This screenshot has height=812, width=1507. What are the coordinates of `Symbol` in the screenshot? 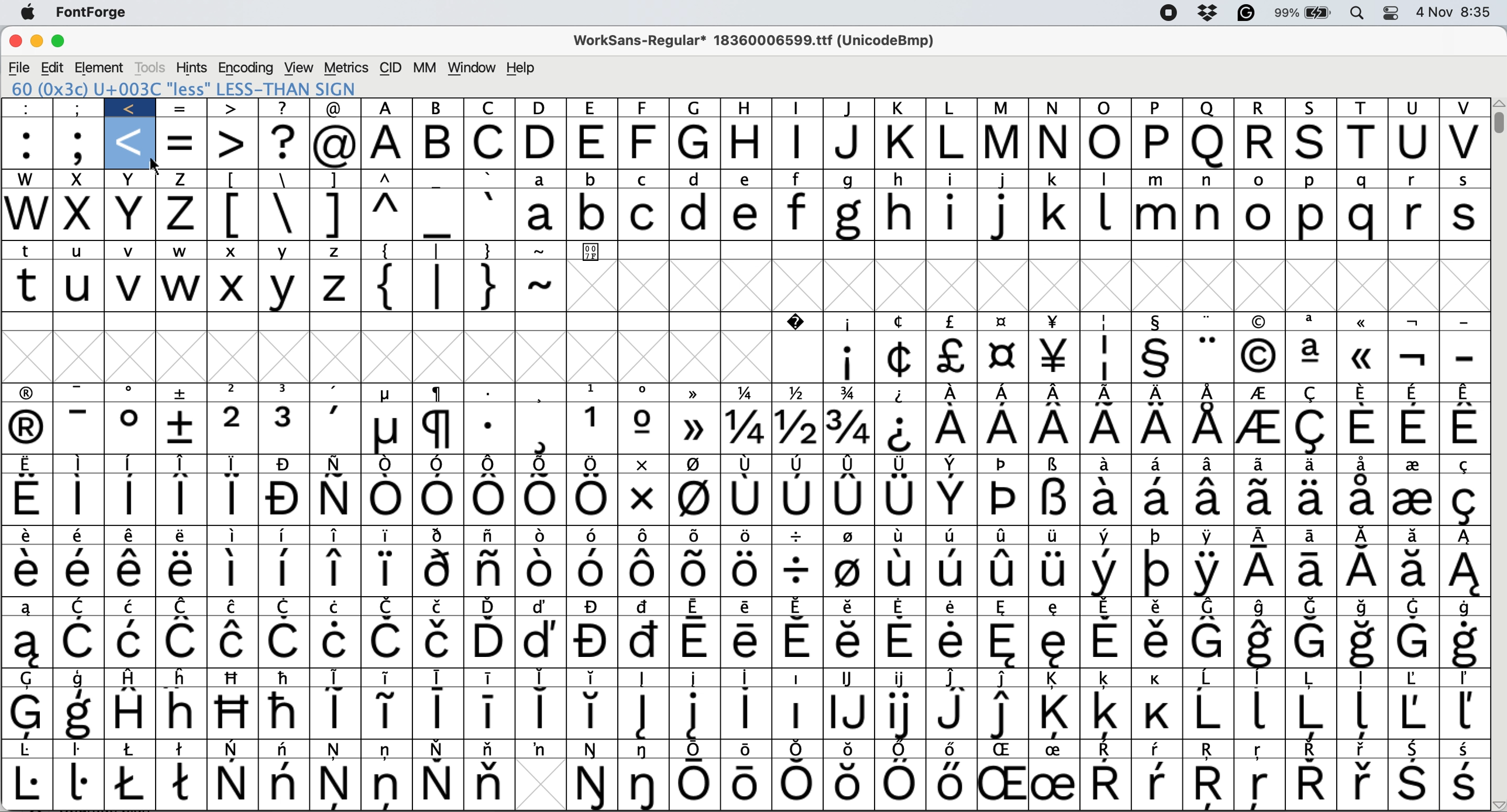 It's located at (1210, 392).